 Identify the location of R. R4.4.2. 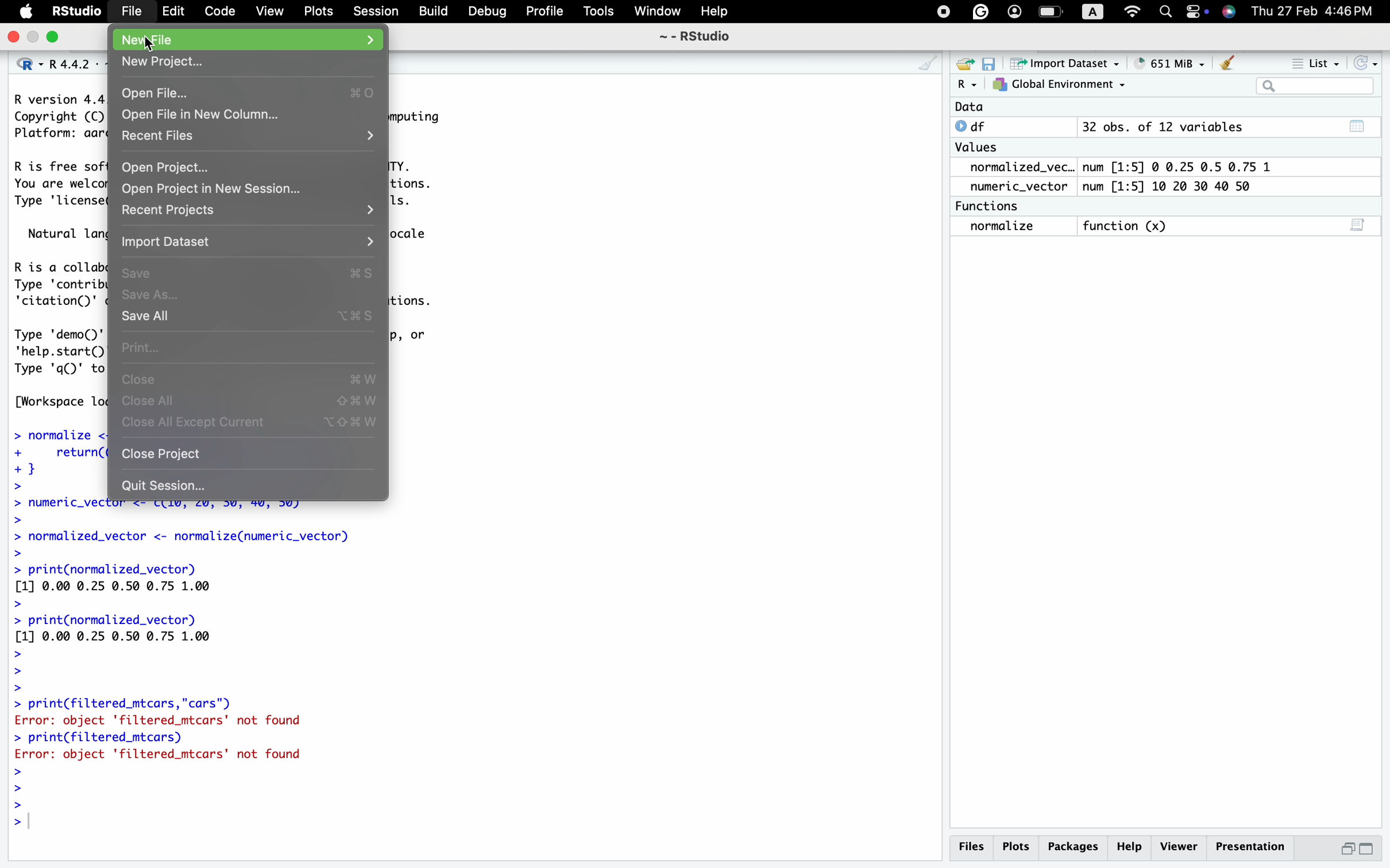
(48, 64).